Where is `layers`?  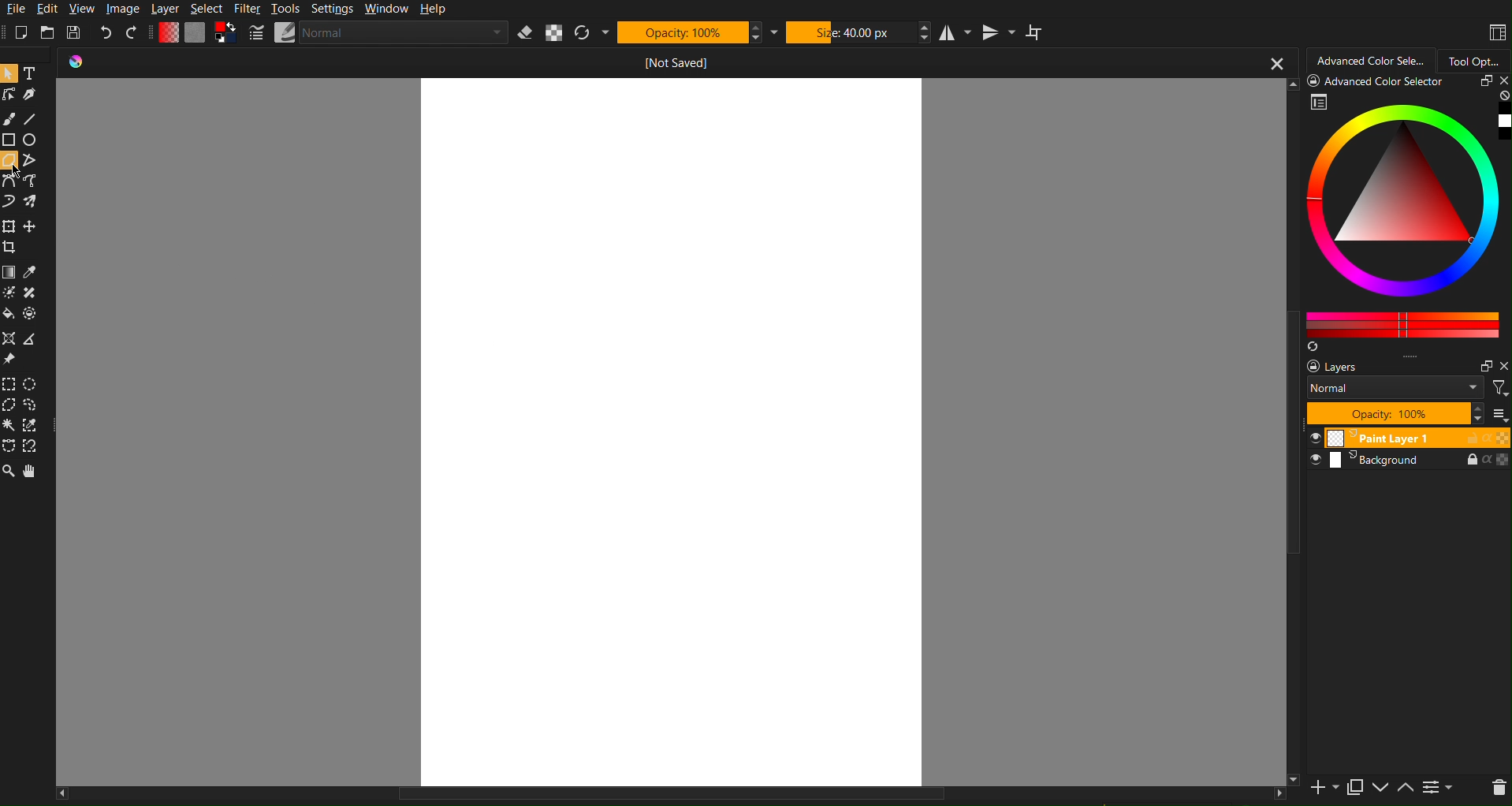 layers is located at coordinates (1346, 368).